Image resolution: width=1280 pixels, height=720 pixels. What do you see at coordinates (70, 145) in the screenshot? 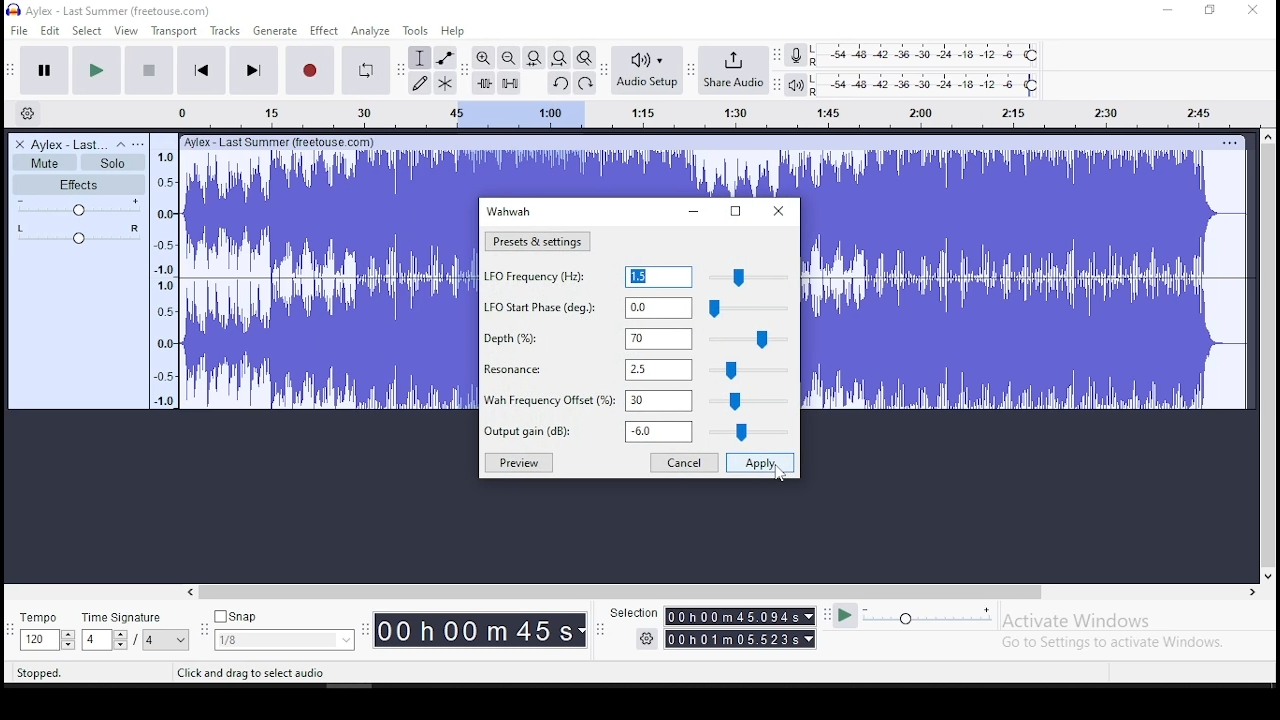
I see `audio` at bounding box center [70, 145].